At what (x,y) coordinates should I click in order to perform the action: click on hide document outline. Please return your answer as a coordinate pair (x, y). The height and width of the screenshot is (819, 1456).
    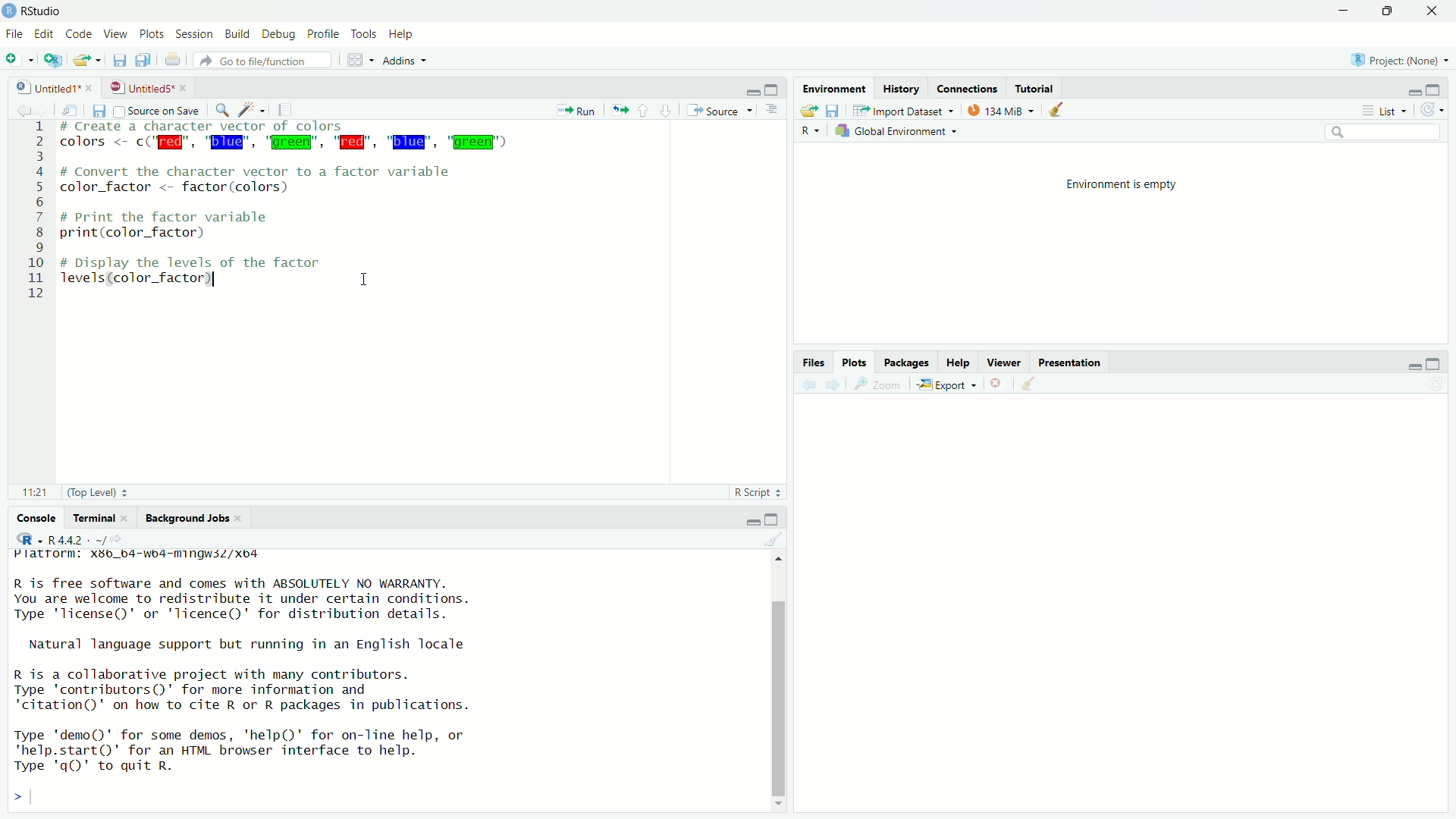
    Looking at the image, I should click on (771, 109).